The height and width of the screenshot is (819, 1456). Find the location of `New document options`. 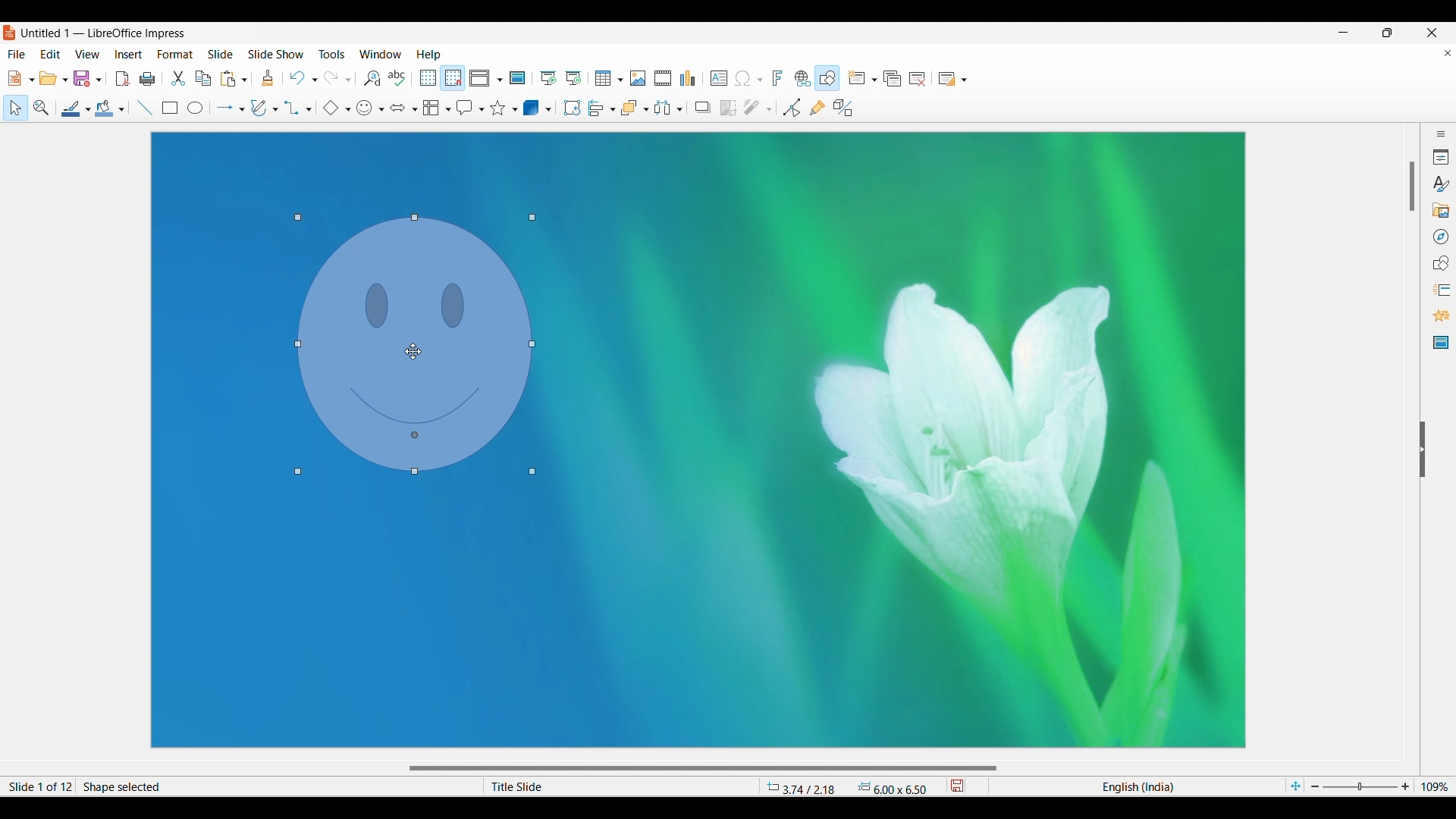

New document options is located at coordinates (31, 80).